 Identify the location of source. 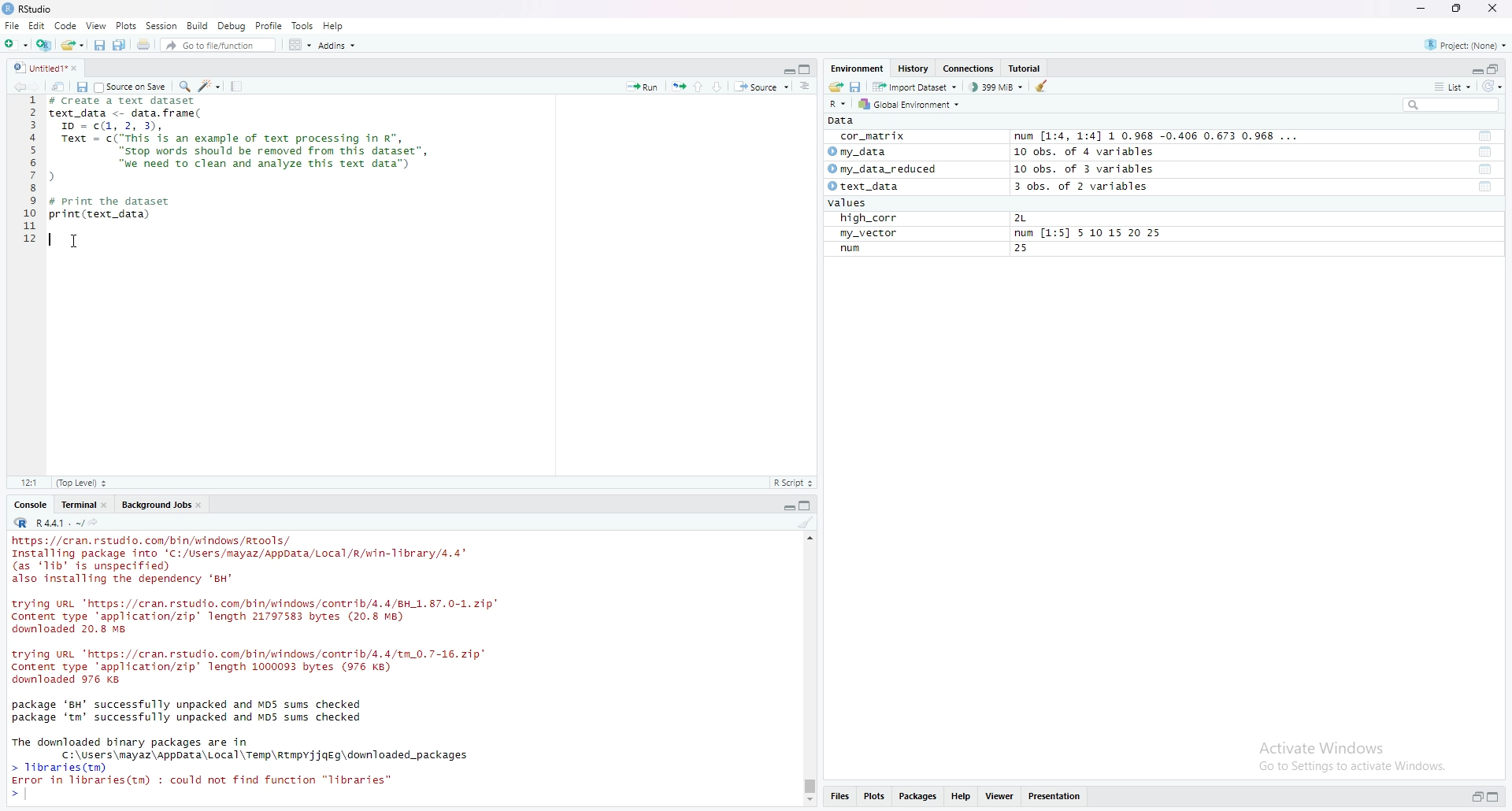
(762, 87).